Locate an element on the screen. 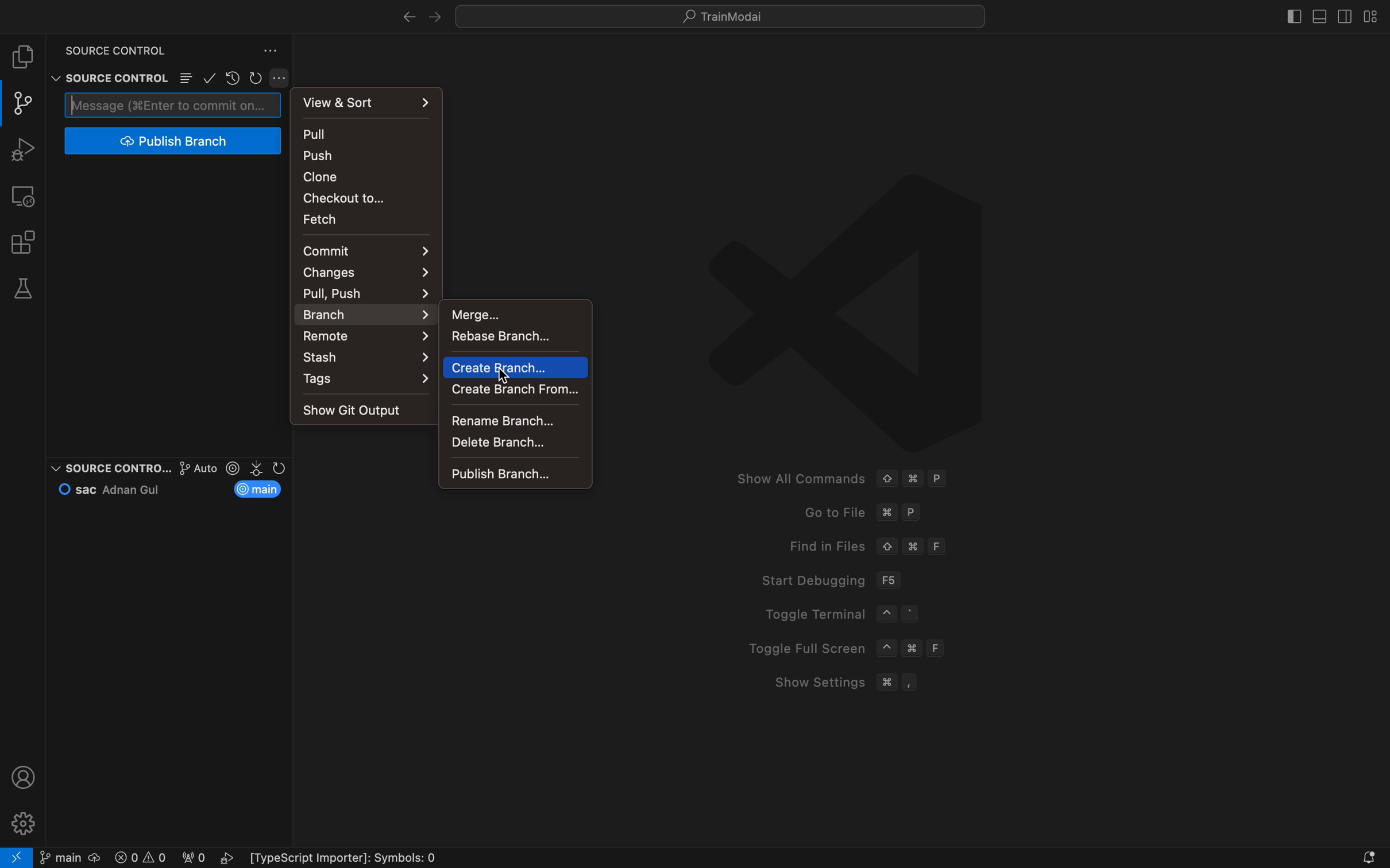 This screenshot has height=868, width=1390. welcome screen is located at coordinates (968, 443).